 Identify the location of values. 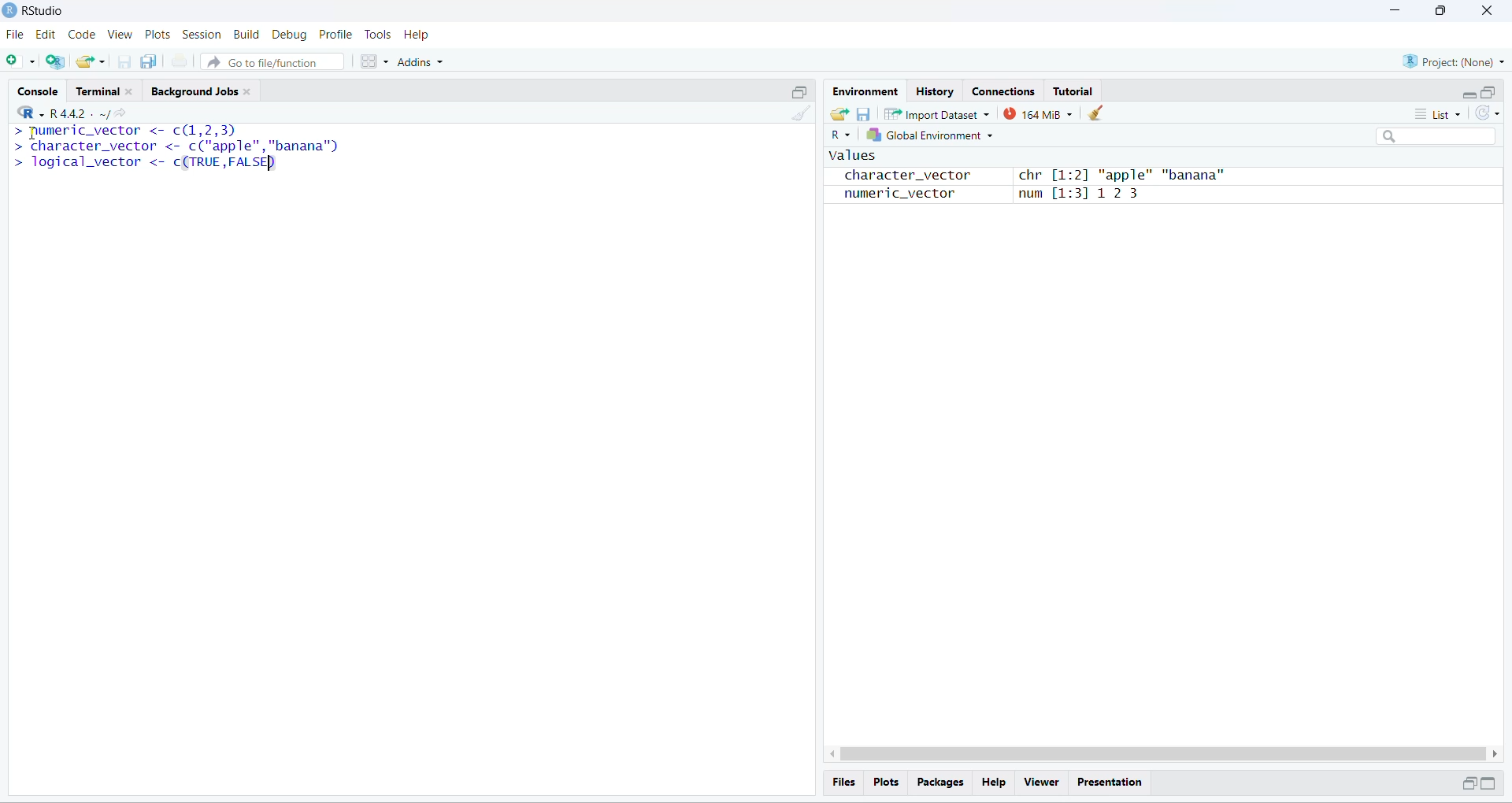
(850, 157).